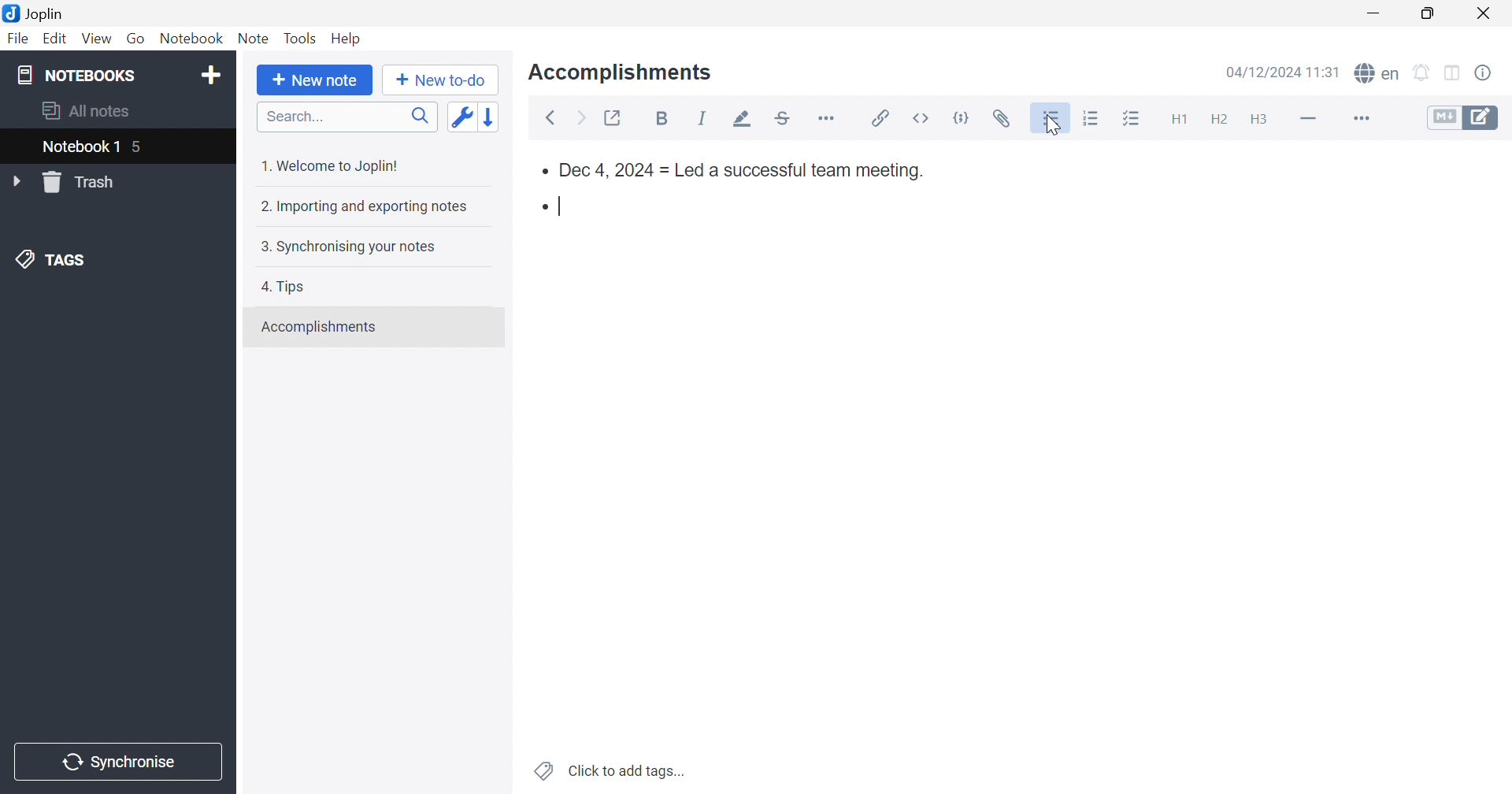 The height and width of the screenshot is (794, 1512). What do you see at coordinates (347, 245) in the screenshot?
I see `3. Synchronising your notes` at bounding box center [347, 245].